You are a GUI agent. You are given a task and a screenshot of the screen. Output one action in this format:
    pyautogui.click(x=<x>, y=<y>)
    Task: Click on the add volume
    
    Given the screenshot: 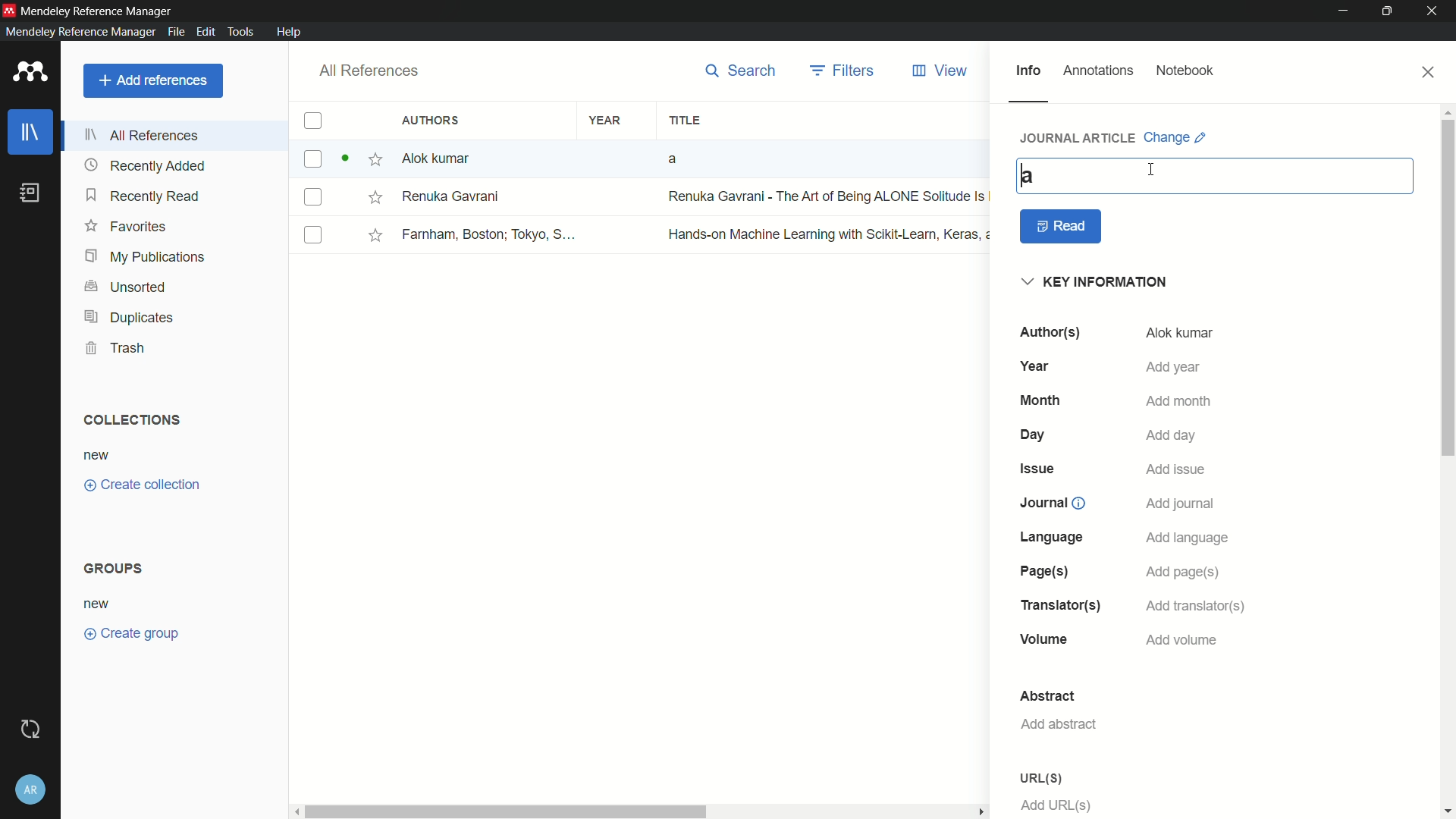 What is the action you would take?
    pyautogui.click(x=1182, y=640)
    